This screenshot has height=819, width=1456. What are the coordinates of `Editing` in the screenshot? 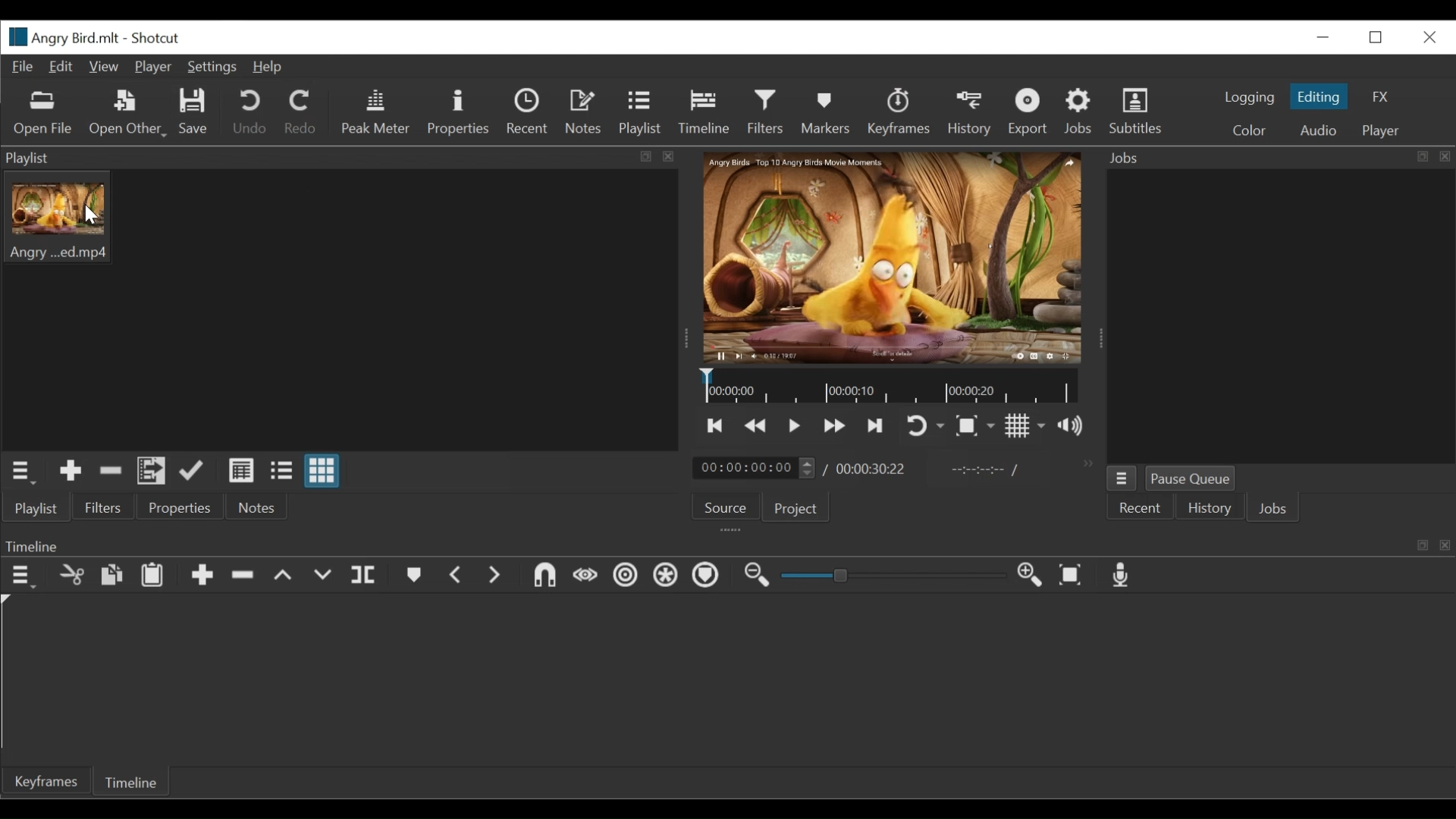 It's located at (1320, 97).